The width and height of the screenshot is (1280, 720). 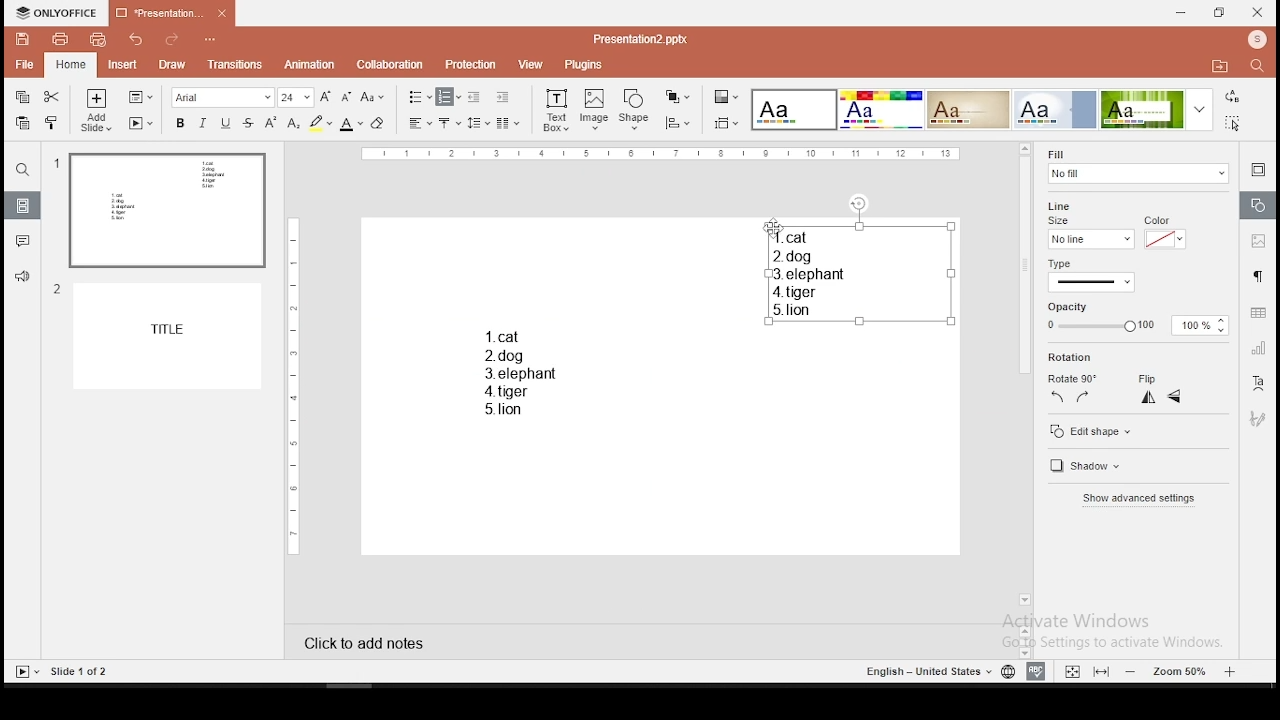 What do you see at coordinates (121, 64) in the screenshot?
I see `insert` at bounding box center [121, 64].